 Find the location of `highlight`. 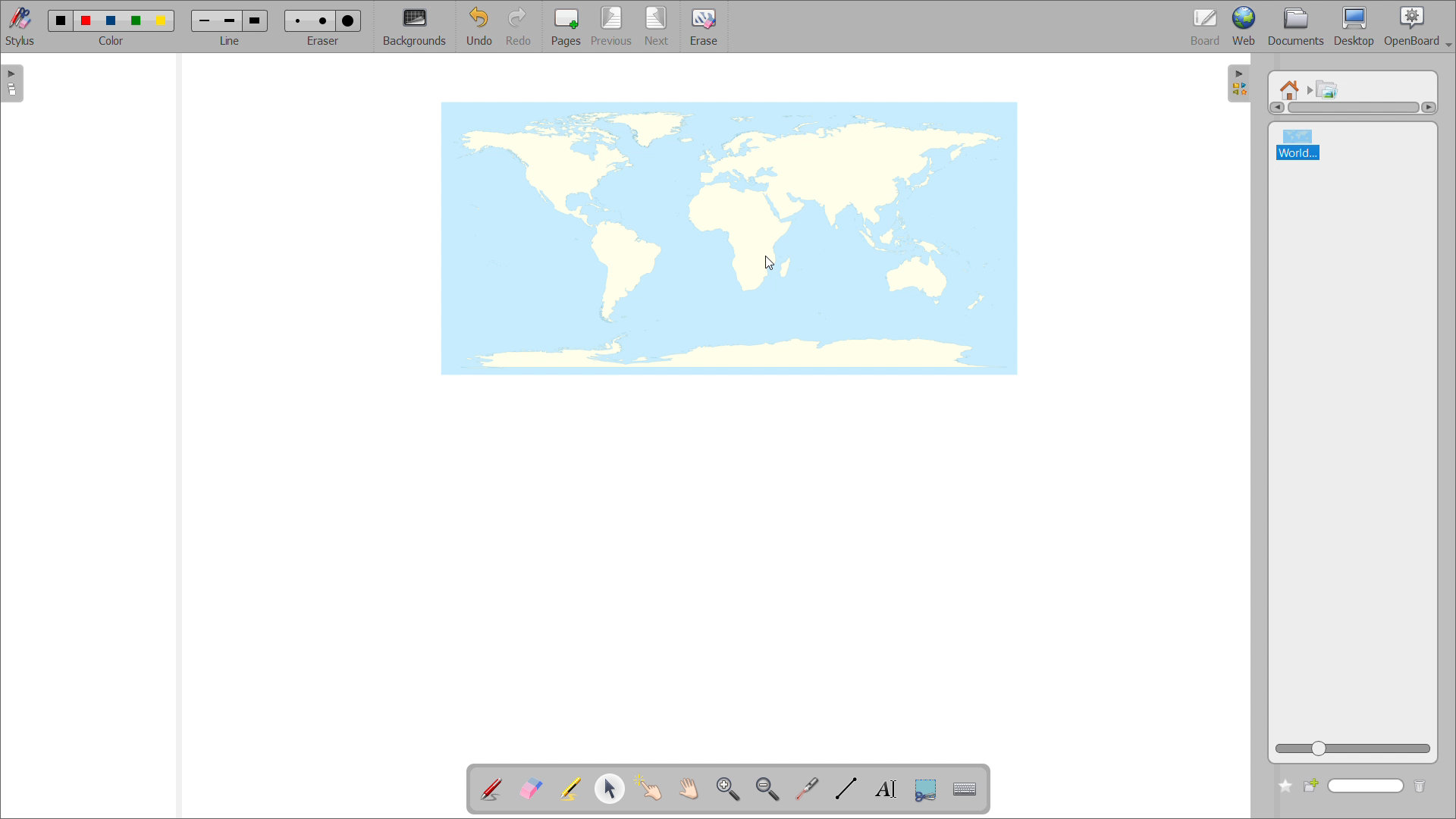

highlight is located at coordinates (571, 790).